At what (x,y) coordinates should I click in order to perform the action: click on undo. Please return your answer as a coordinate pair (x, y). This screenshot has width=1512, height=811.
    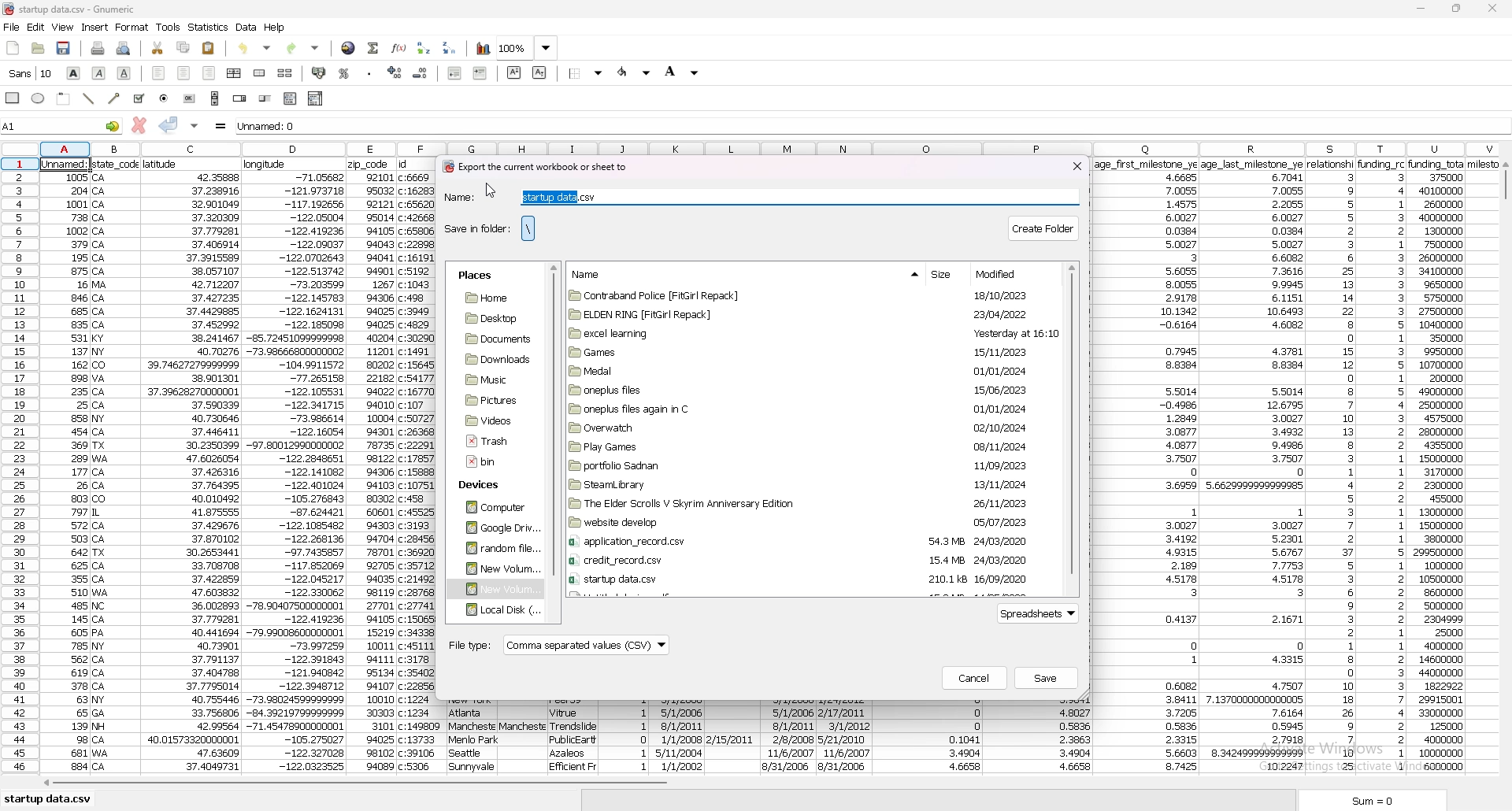
    Looking at the image, I should click on (258, 46).